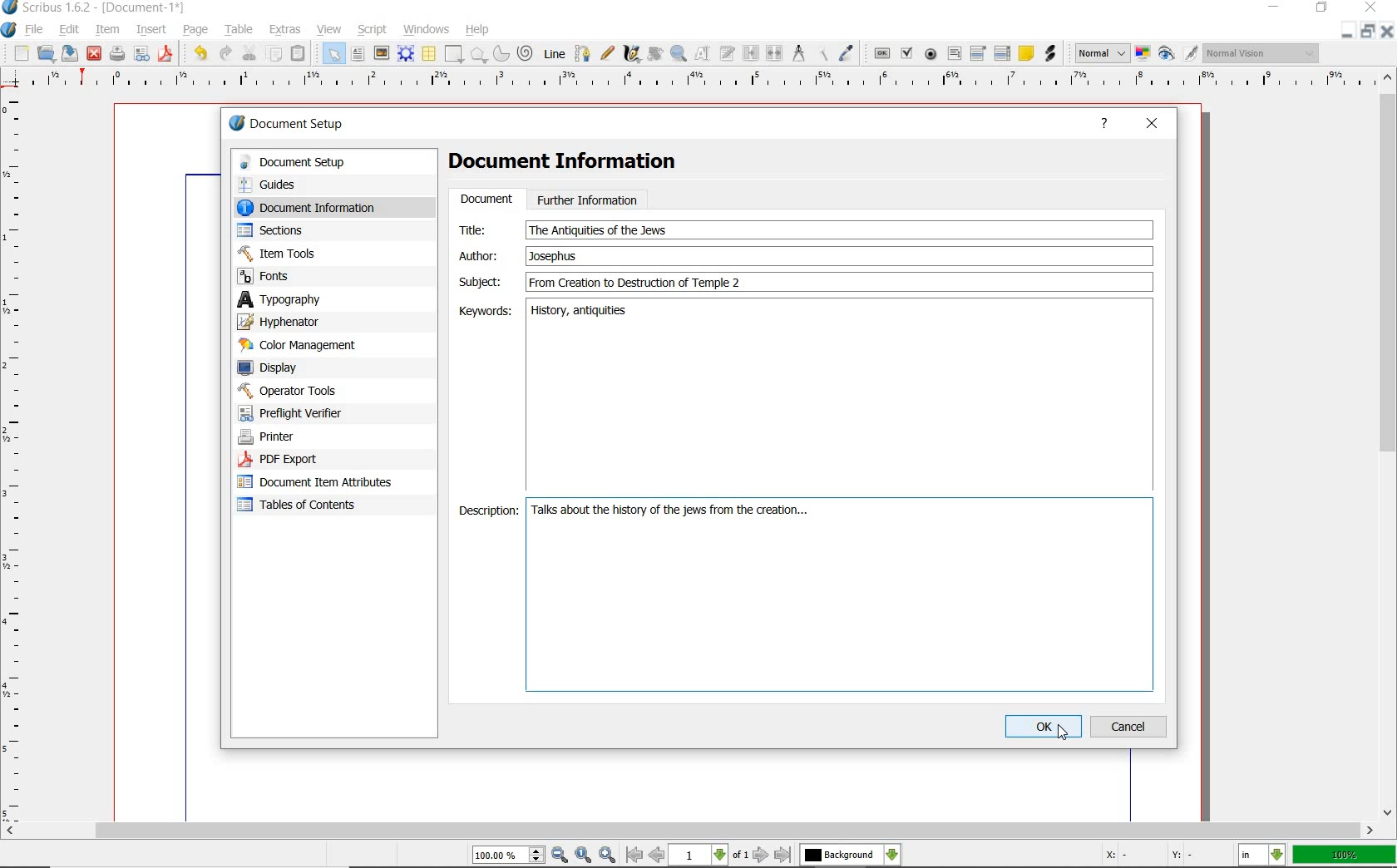 The width and height of the screenshot is (1397, 868). I want to click on spiral, so click(527, 52).